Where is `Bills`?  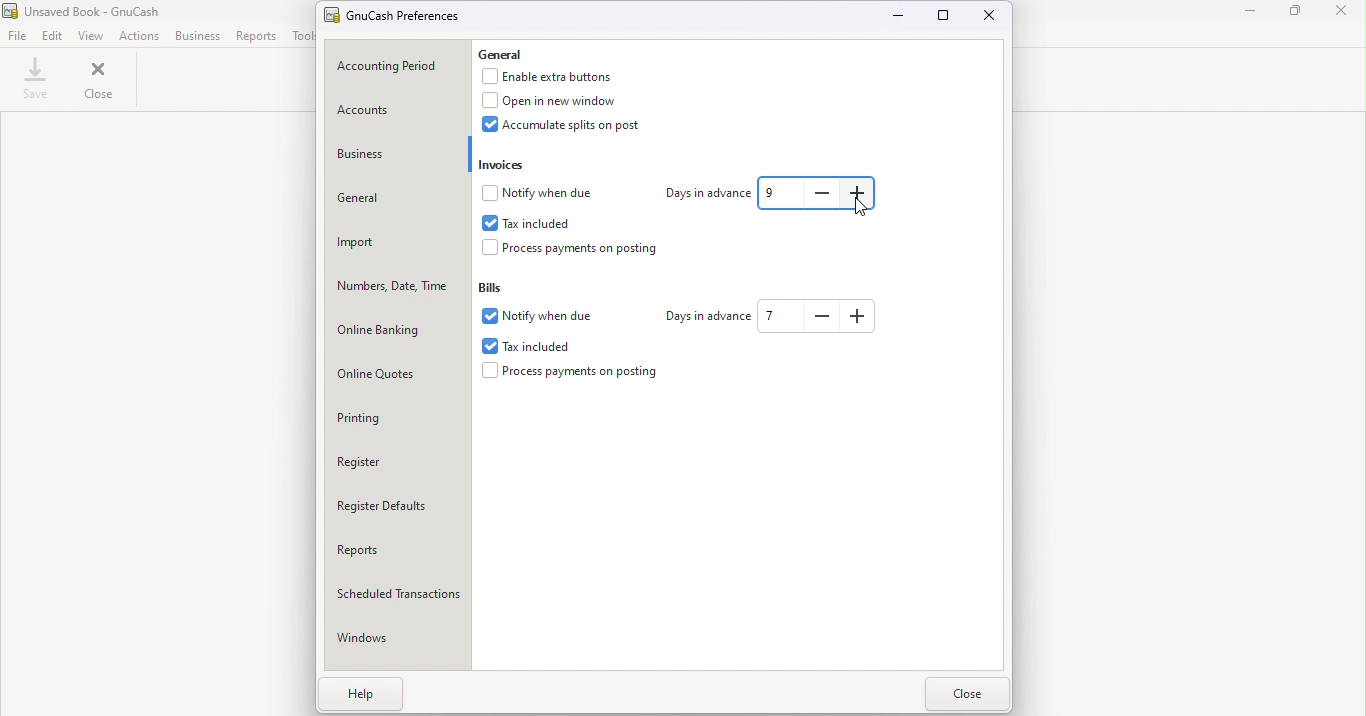
Bills is located at coordinates (500, 284).